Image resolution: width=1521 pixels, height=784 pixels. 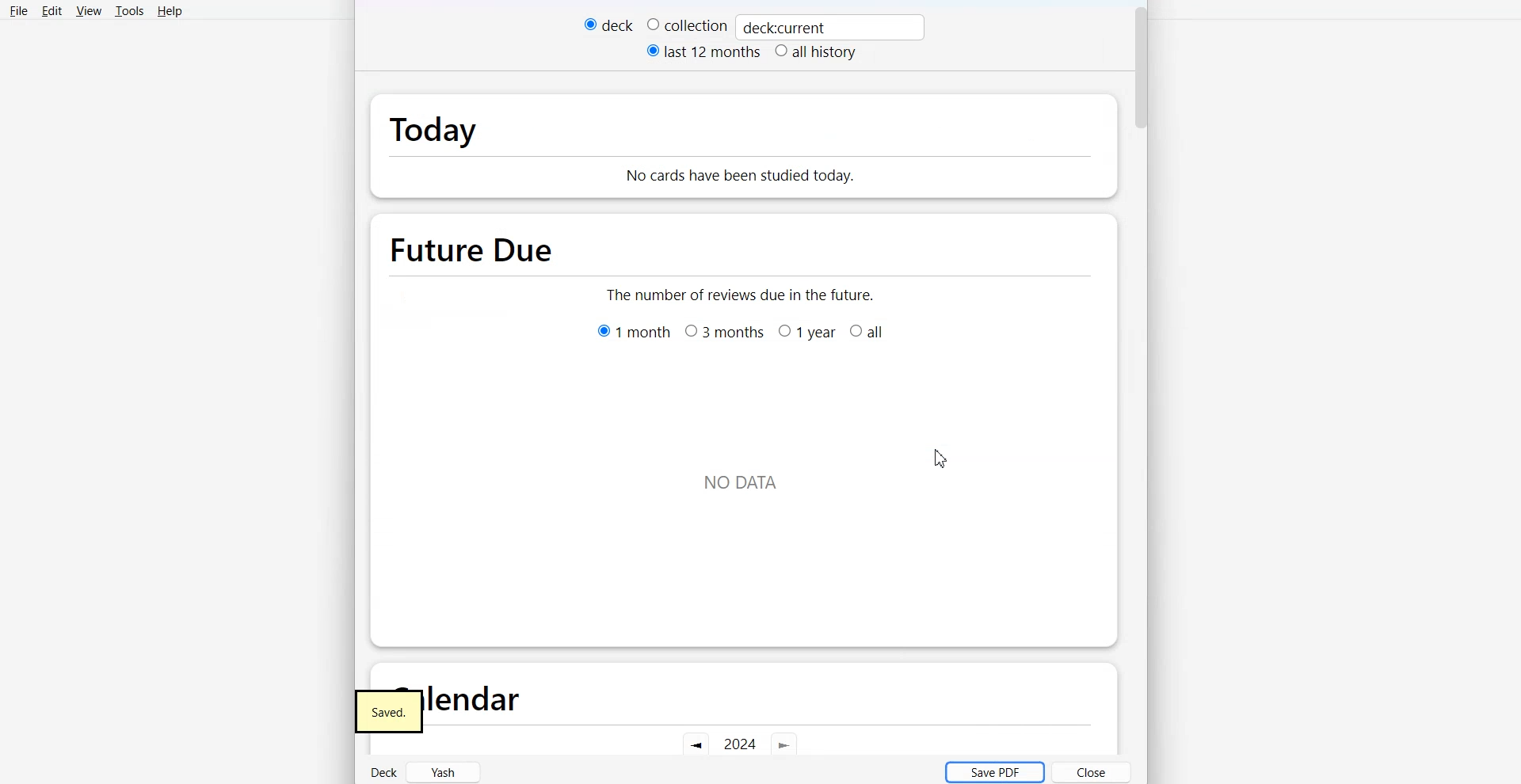 What do you see at coordinates (687, 25) in the screenshot?
I see `Collection` at bounding box center [687, 25].